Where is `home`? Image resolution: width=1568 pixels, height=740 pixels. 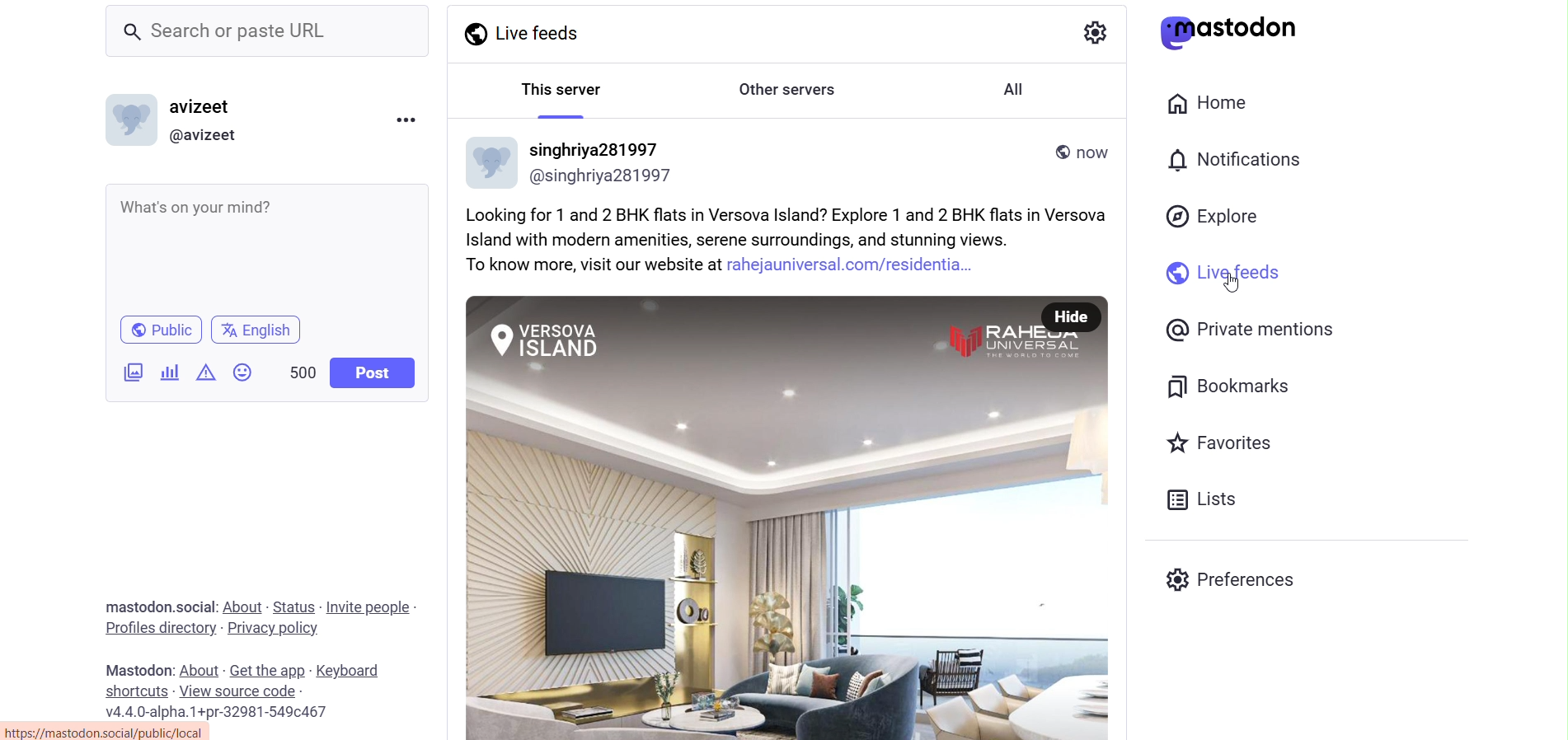 home is located at coordinates (1214, 102).